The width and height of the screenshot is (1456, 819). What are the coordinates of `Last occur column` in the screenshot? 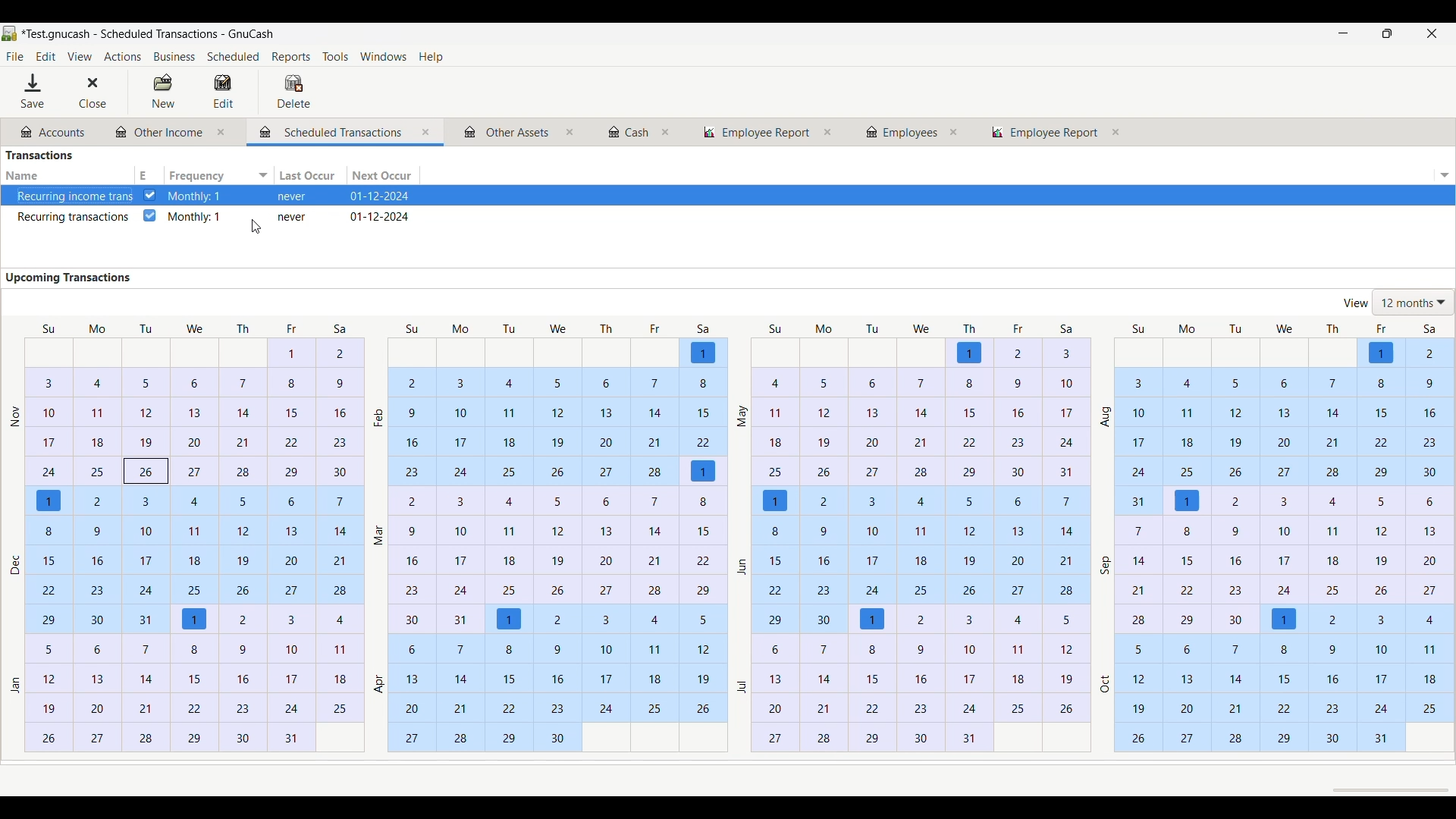 It's located at (310, 175).